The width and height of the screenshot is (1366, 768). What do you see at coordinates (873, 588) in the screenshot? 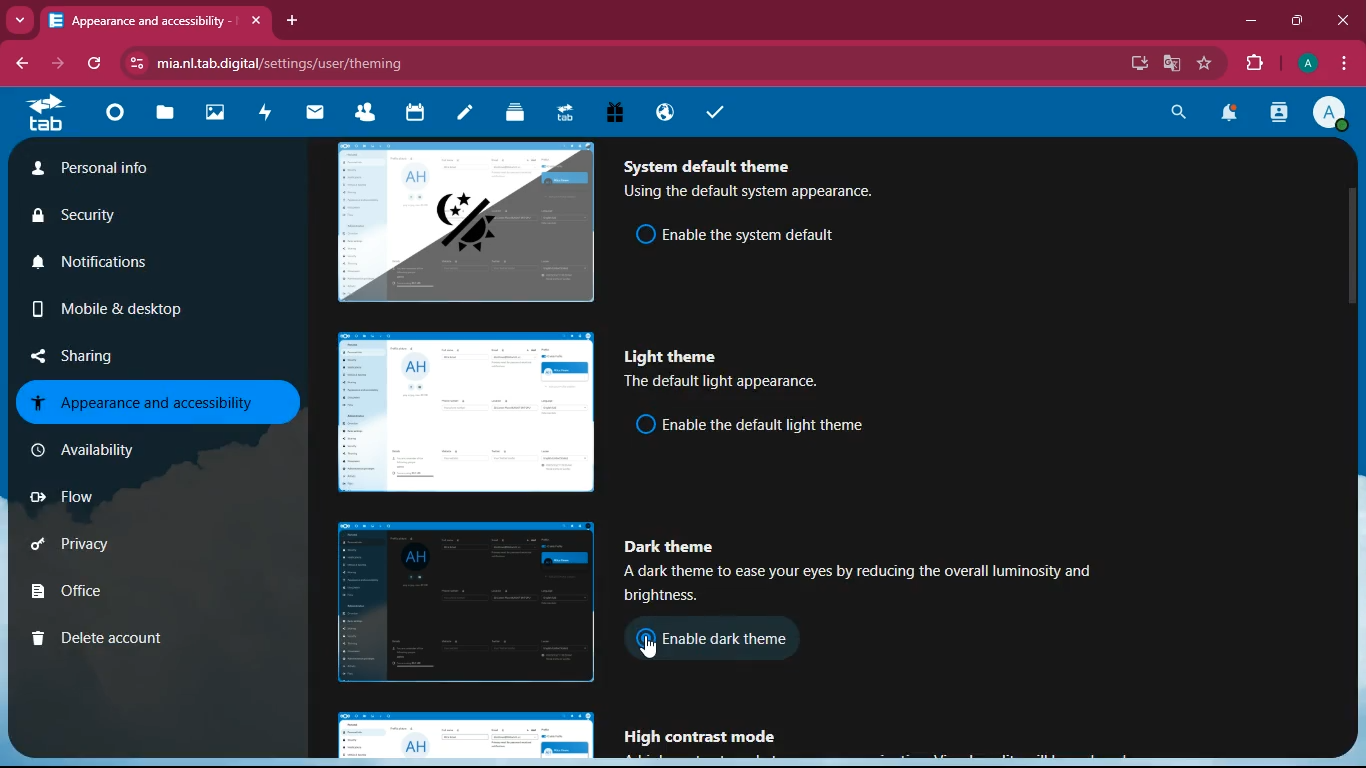
I see `description` at bounding box center [873, 588].